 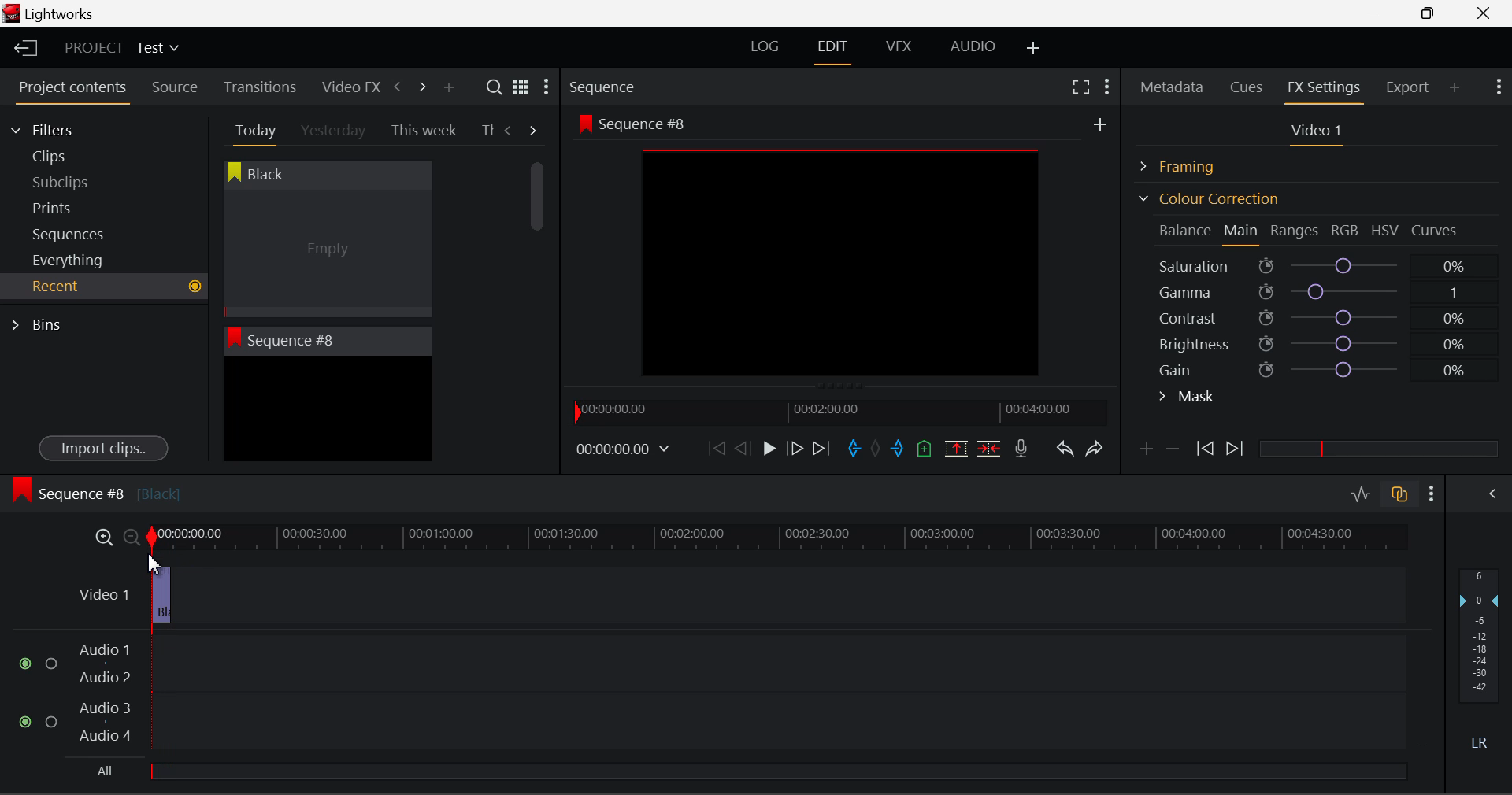 What do you see at coordinates (989, 448) in the screenshot?
I see `Delete/Cut` at bounding box center [989, 448].